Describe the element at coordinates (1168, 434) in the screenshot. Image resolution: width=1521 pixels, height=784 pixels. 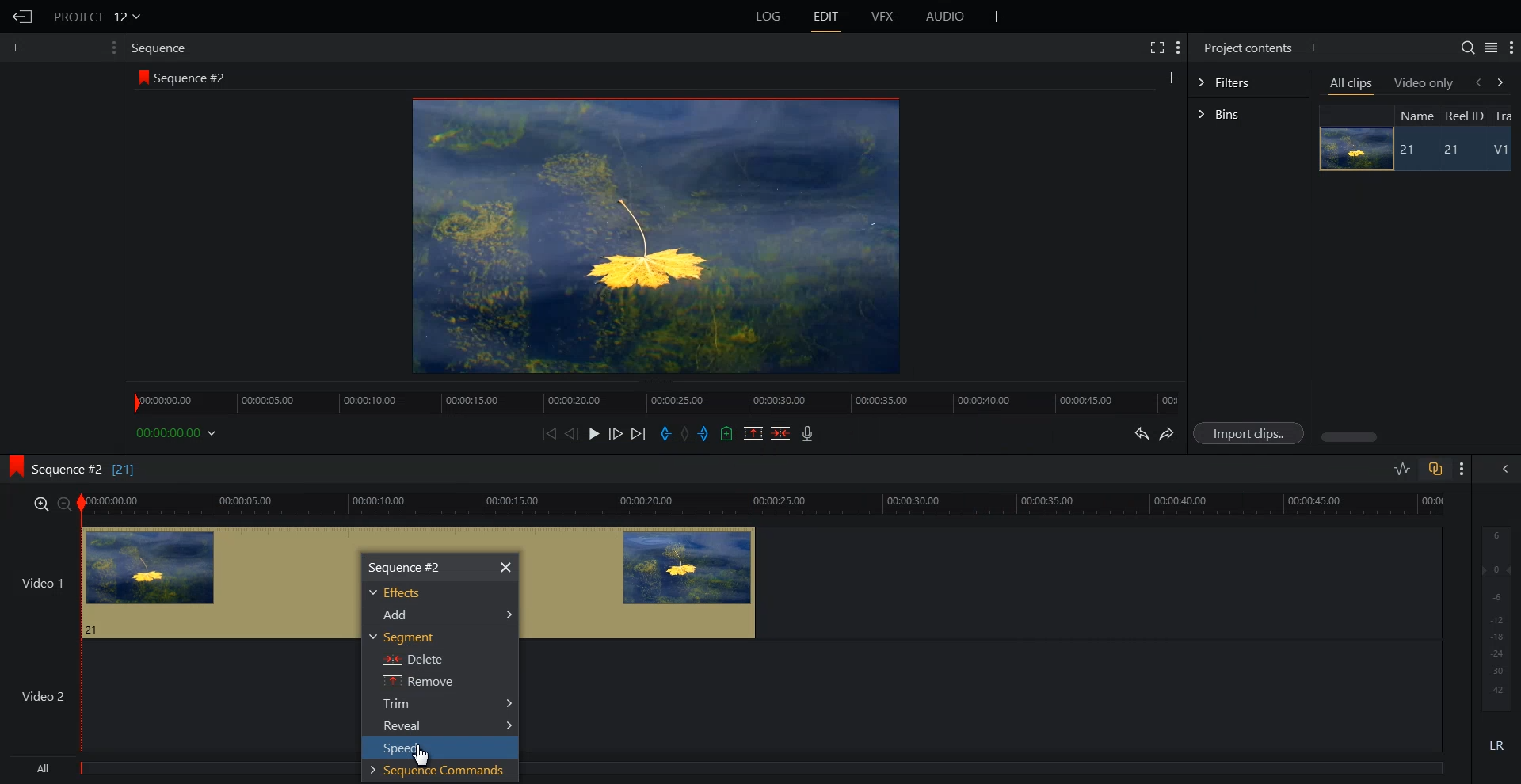
I see `Redo` at that location.